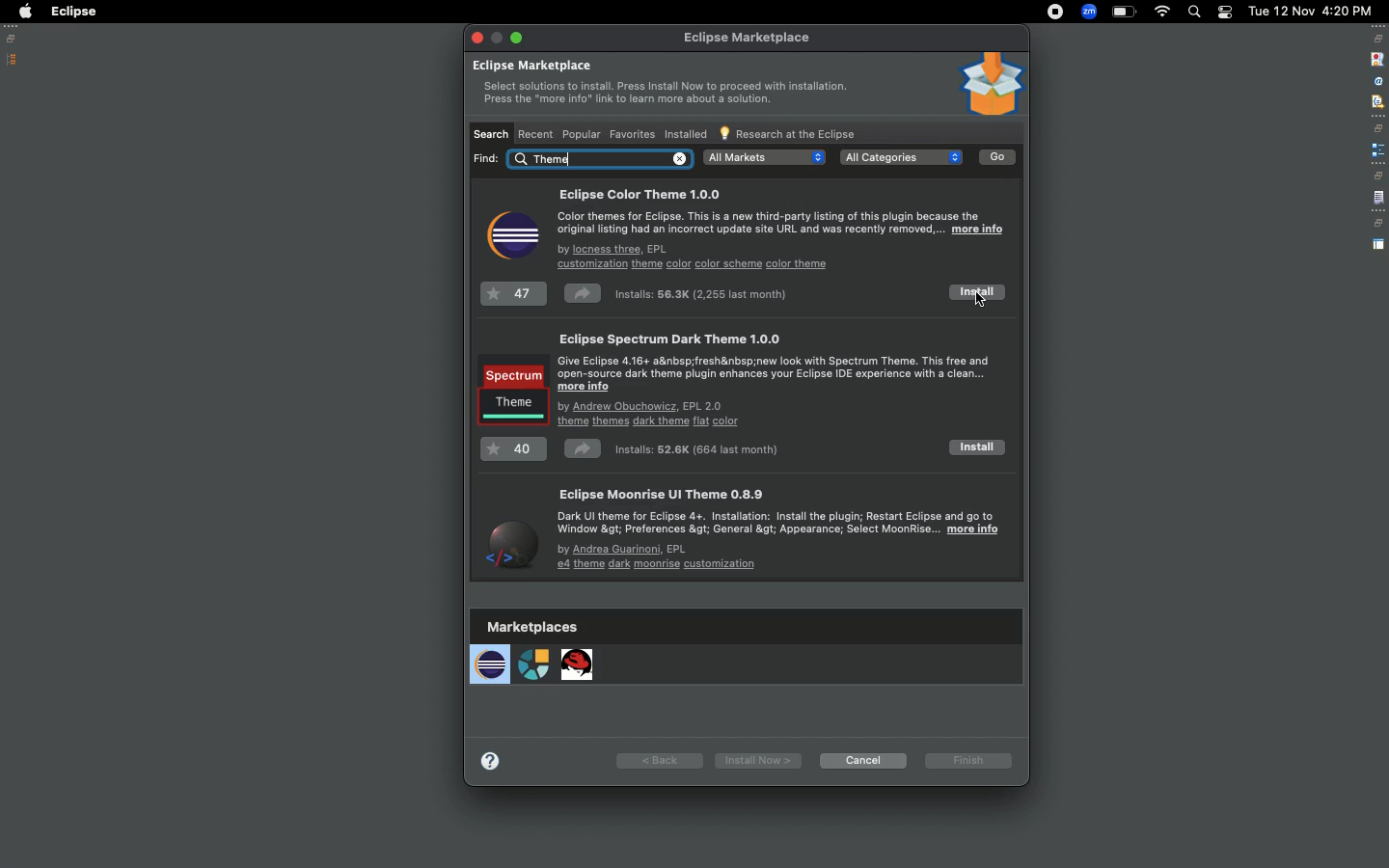  Describe the element at coordinates (630, 132) in the screenshot. I see `Favorites` at that location.